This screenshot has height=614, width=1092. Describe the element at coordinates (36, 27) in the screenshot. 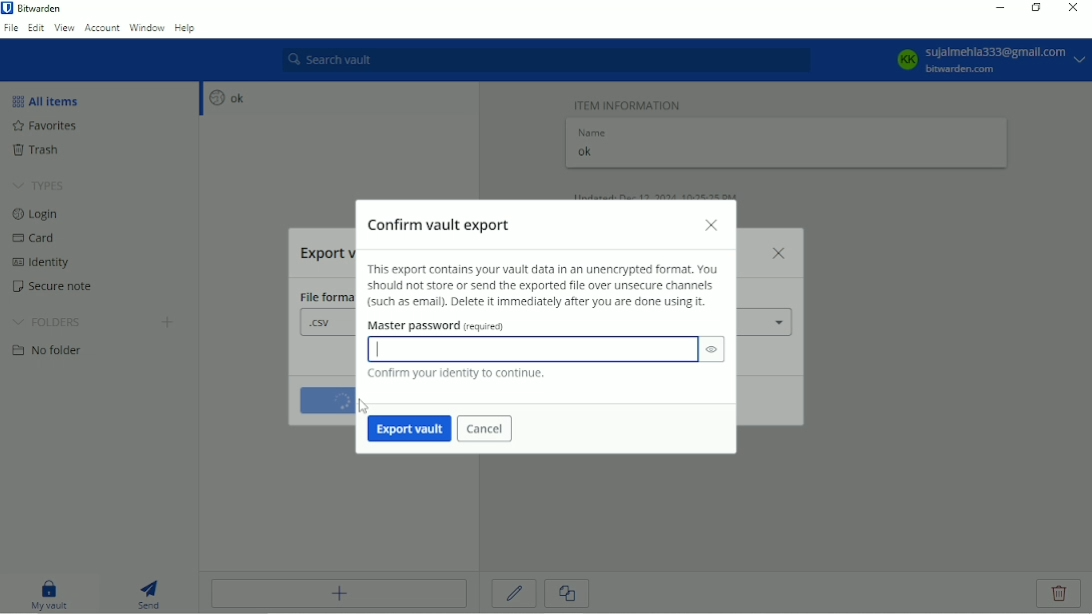

I see `Edit` at that location.